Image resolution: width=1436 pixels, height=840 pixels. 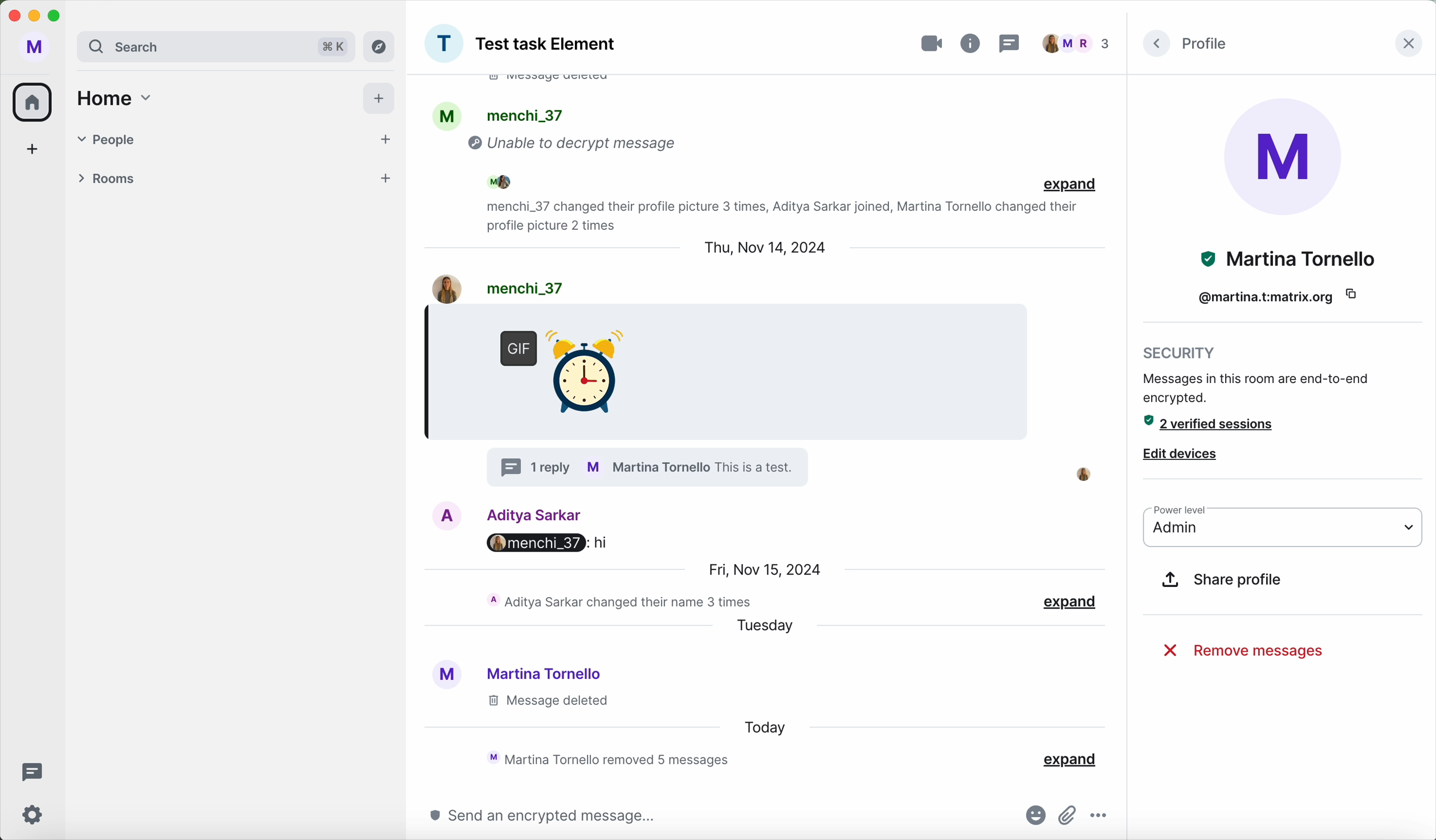 What do you see at coordinates (444, 676) in the screenshot?
I see `profile picture` at bounding box center [444, 676].